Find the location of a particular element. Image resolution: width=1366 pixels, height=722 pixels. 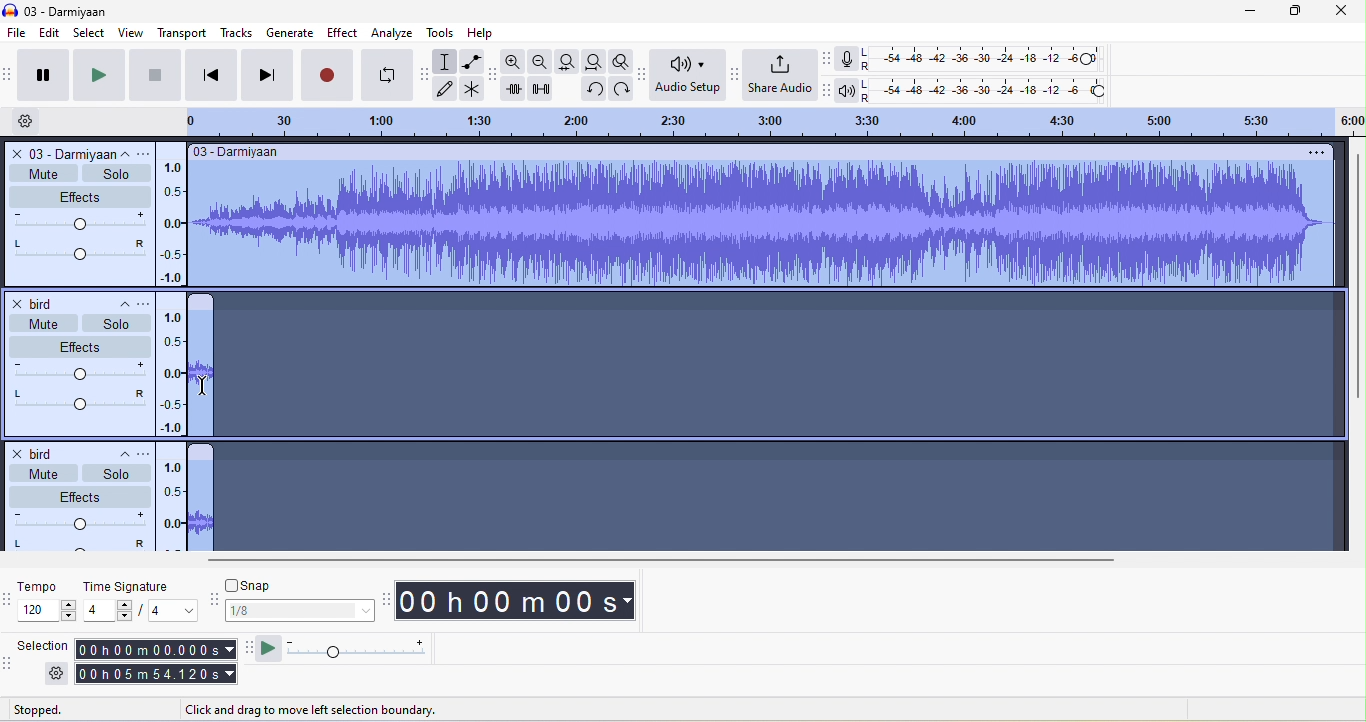

settings is located at coordinates (50, 675).